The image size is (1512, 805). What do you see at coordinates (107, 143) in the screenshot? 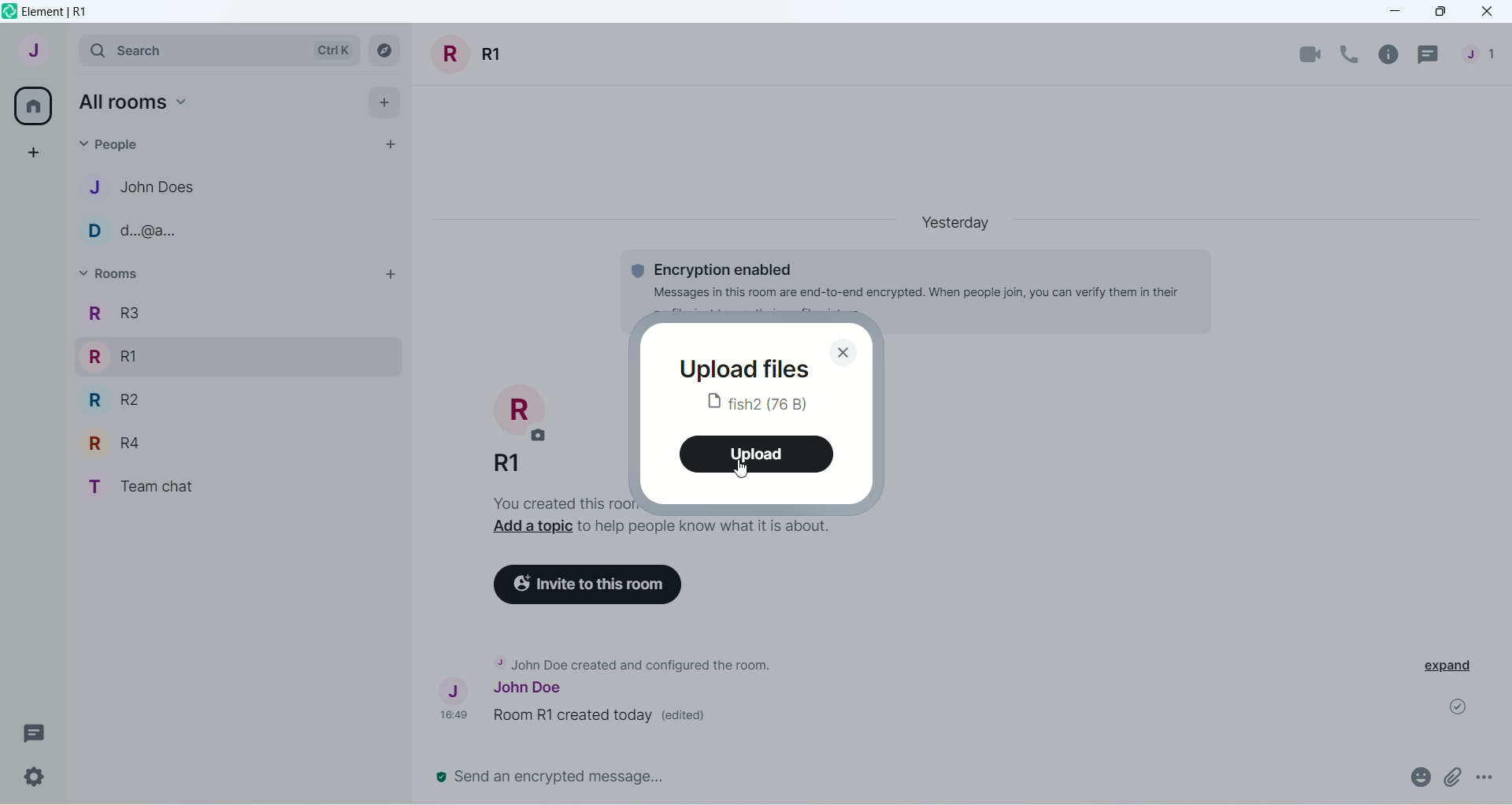
I see `people` at bounding box center [107, 143].